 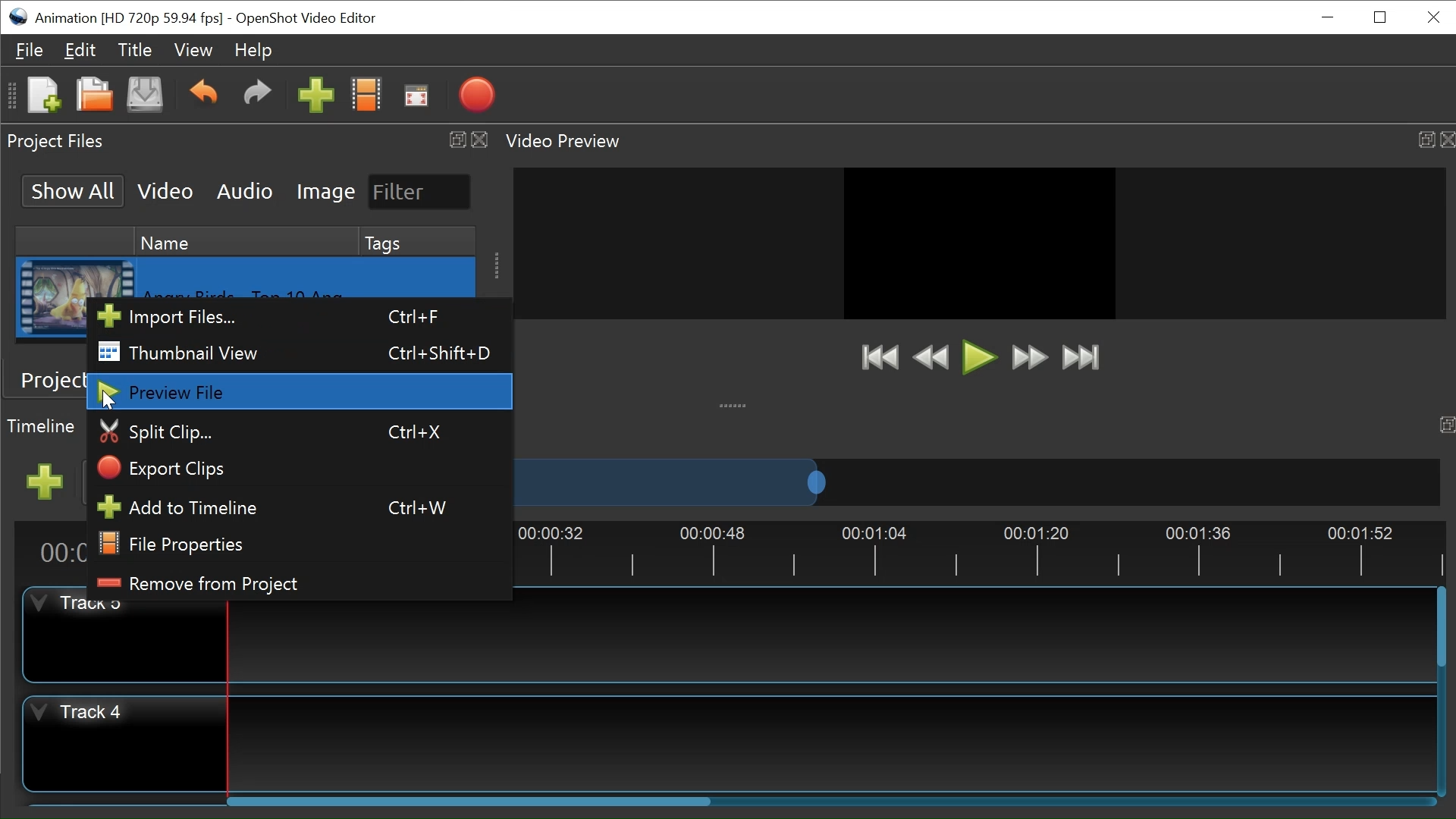 I want to click on Horizontal Scroll bar, so click(x=475, y=800).